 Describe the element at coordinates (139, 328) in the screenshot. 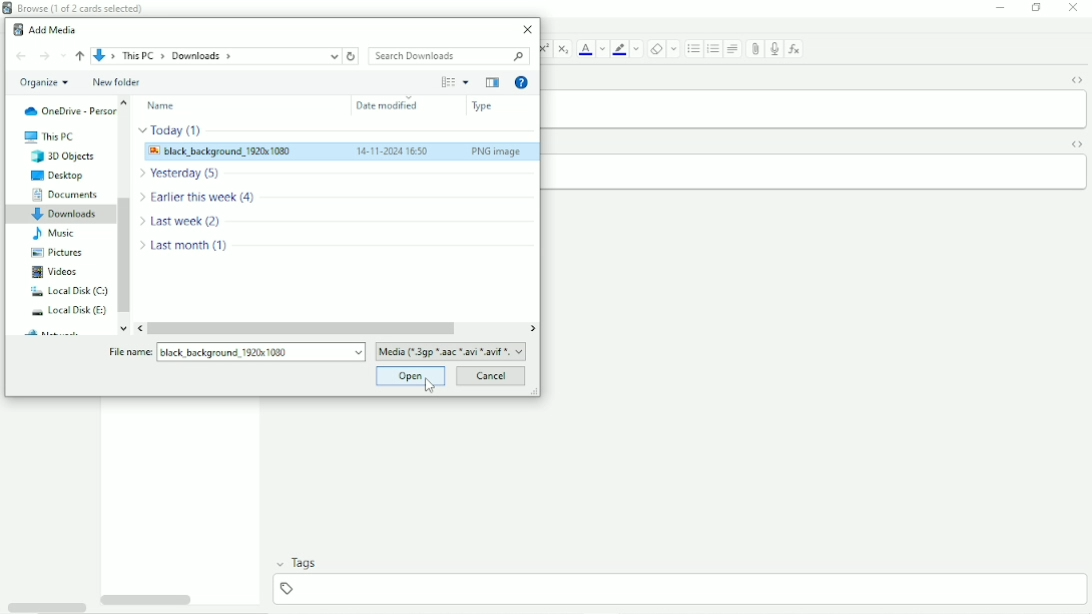

I see `move left` at that location.